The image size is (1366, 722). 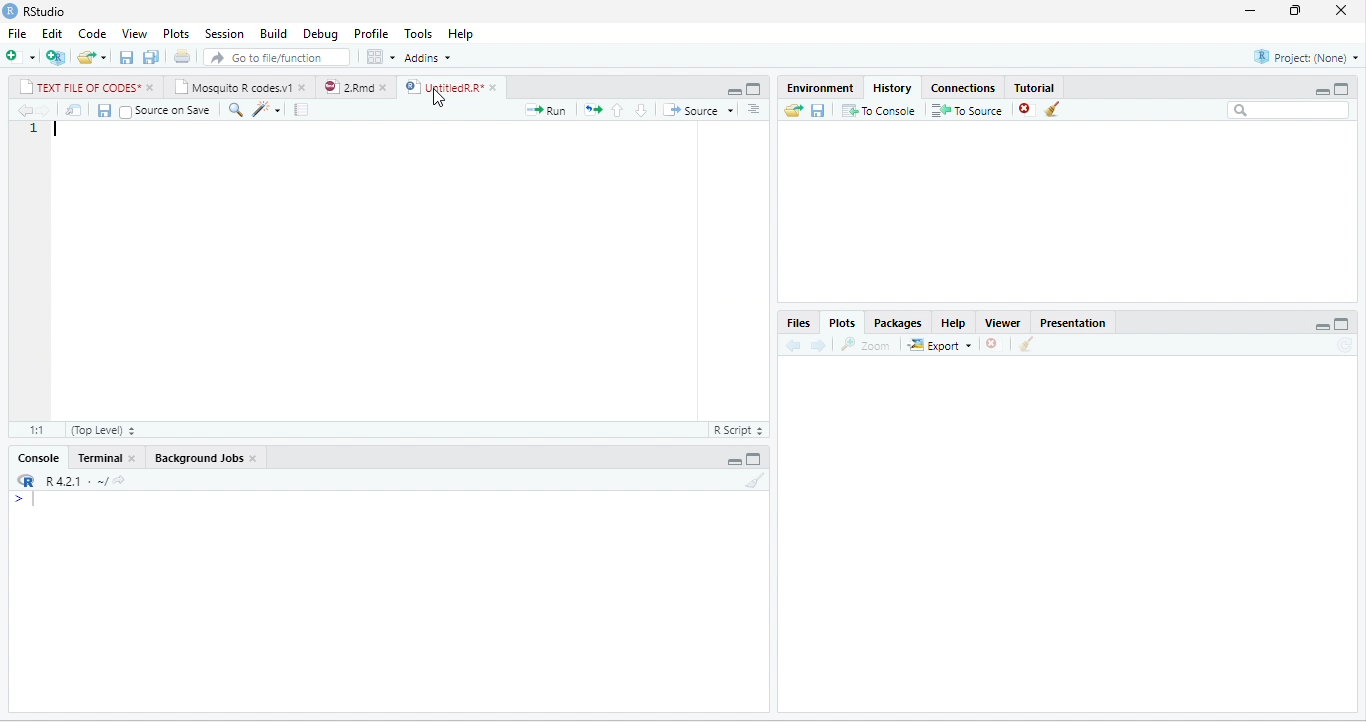 What do you see at coordinates (698, 110) in the screenshot?
I see `Source` at bounding box center [698, 110].